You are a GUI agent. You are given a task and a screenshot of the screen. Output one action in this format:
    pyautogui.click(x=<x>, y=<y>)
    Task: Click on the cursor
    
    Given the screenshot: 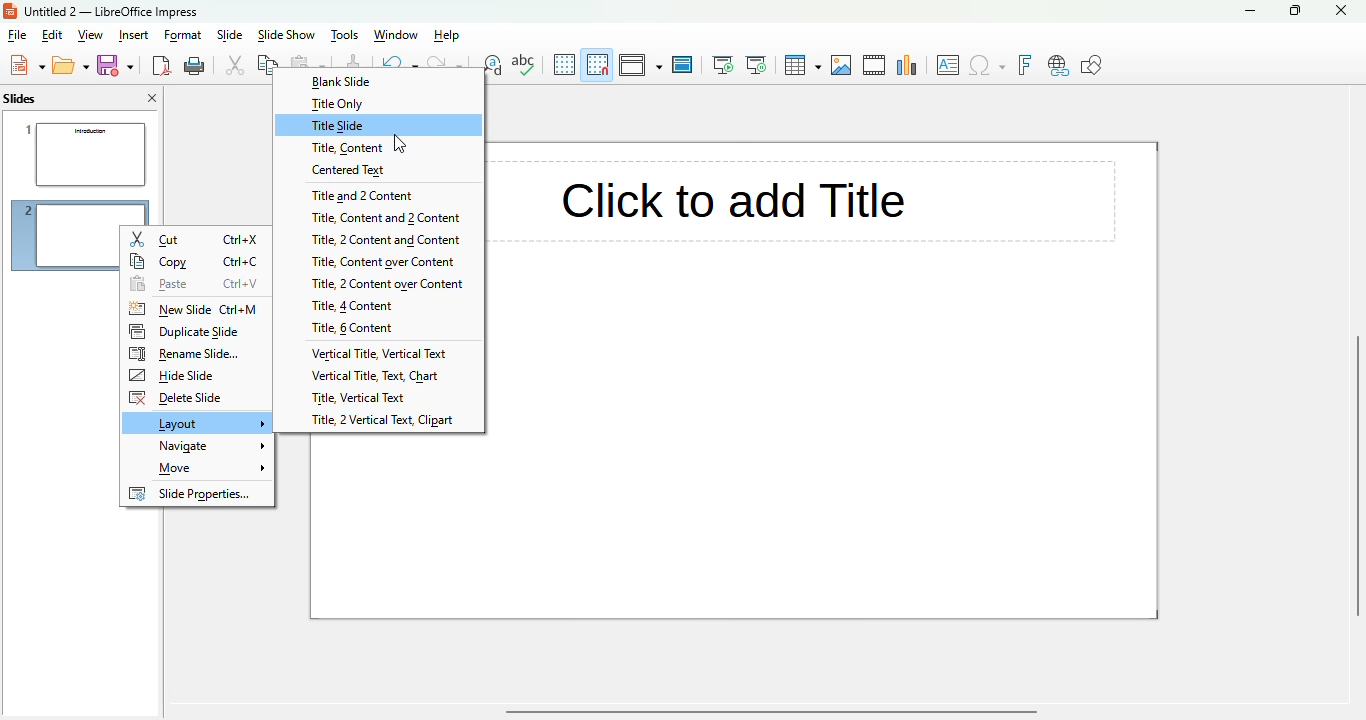 What is the action you would take?
    pyautogui.click(x=400, y=143)
    